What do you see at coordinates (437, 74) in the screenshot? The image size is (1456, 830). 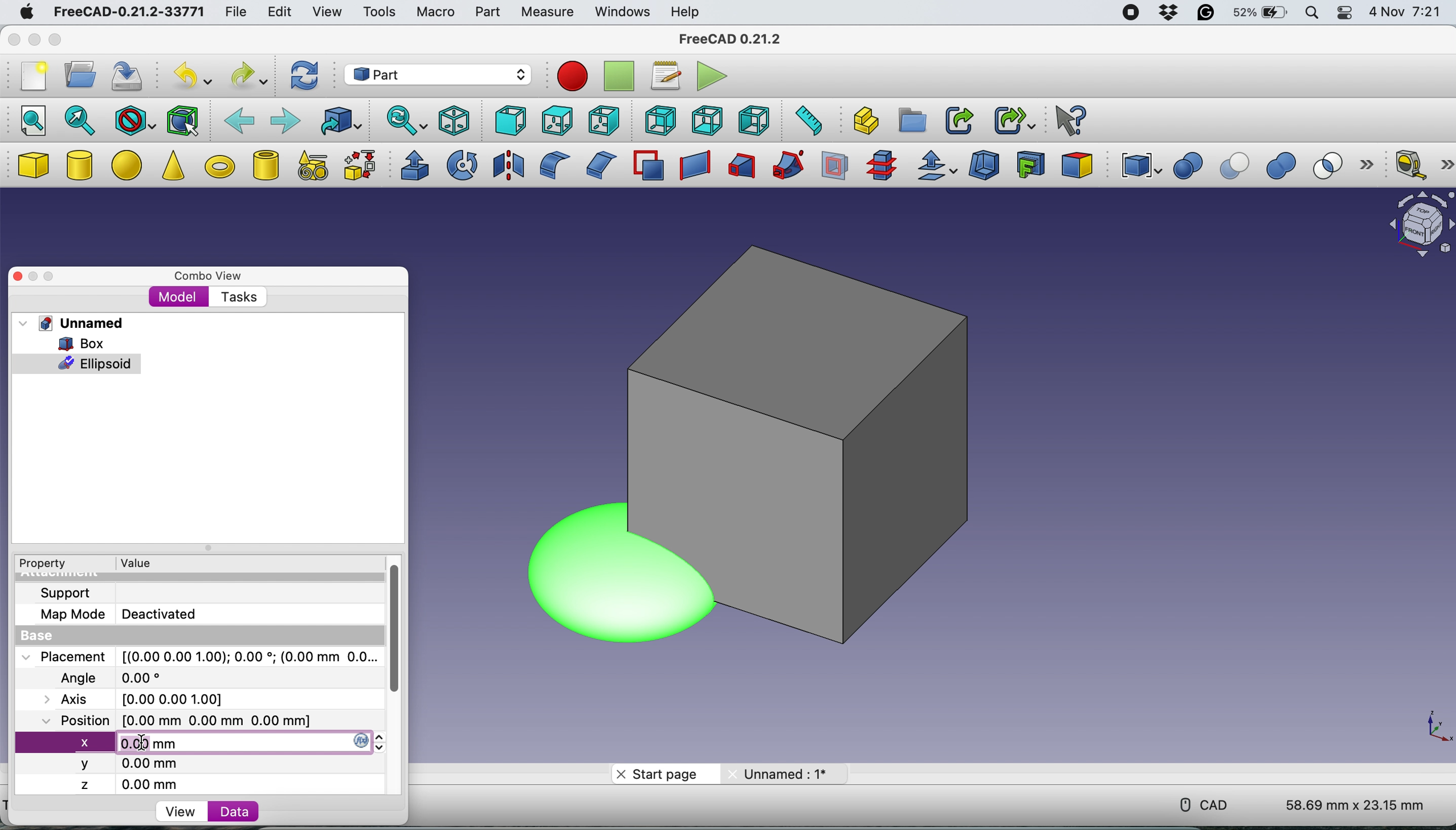 I see `workbench` at bounding box center [437, 74].